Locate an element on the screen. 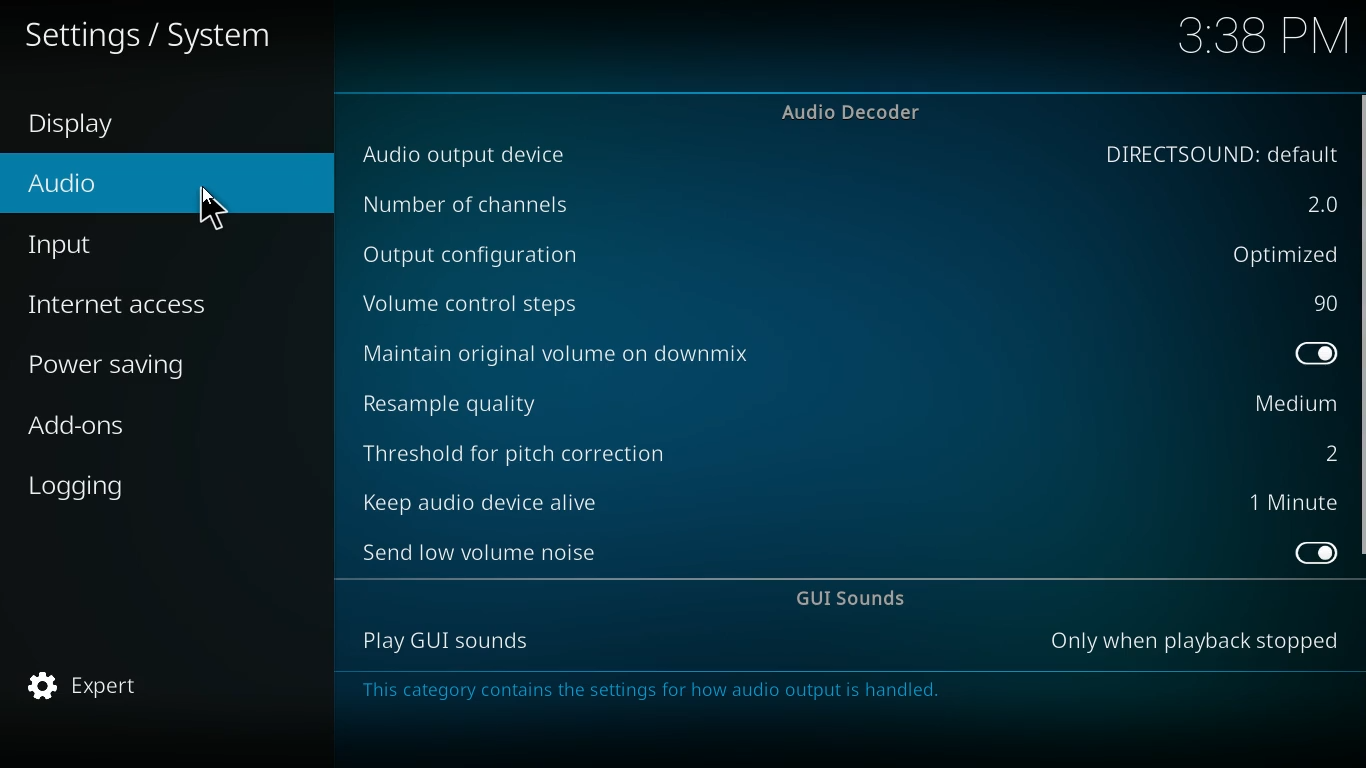  2 is located at coordinates (1326, 451).